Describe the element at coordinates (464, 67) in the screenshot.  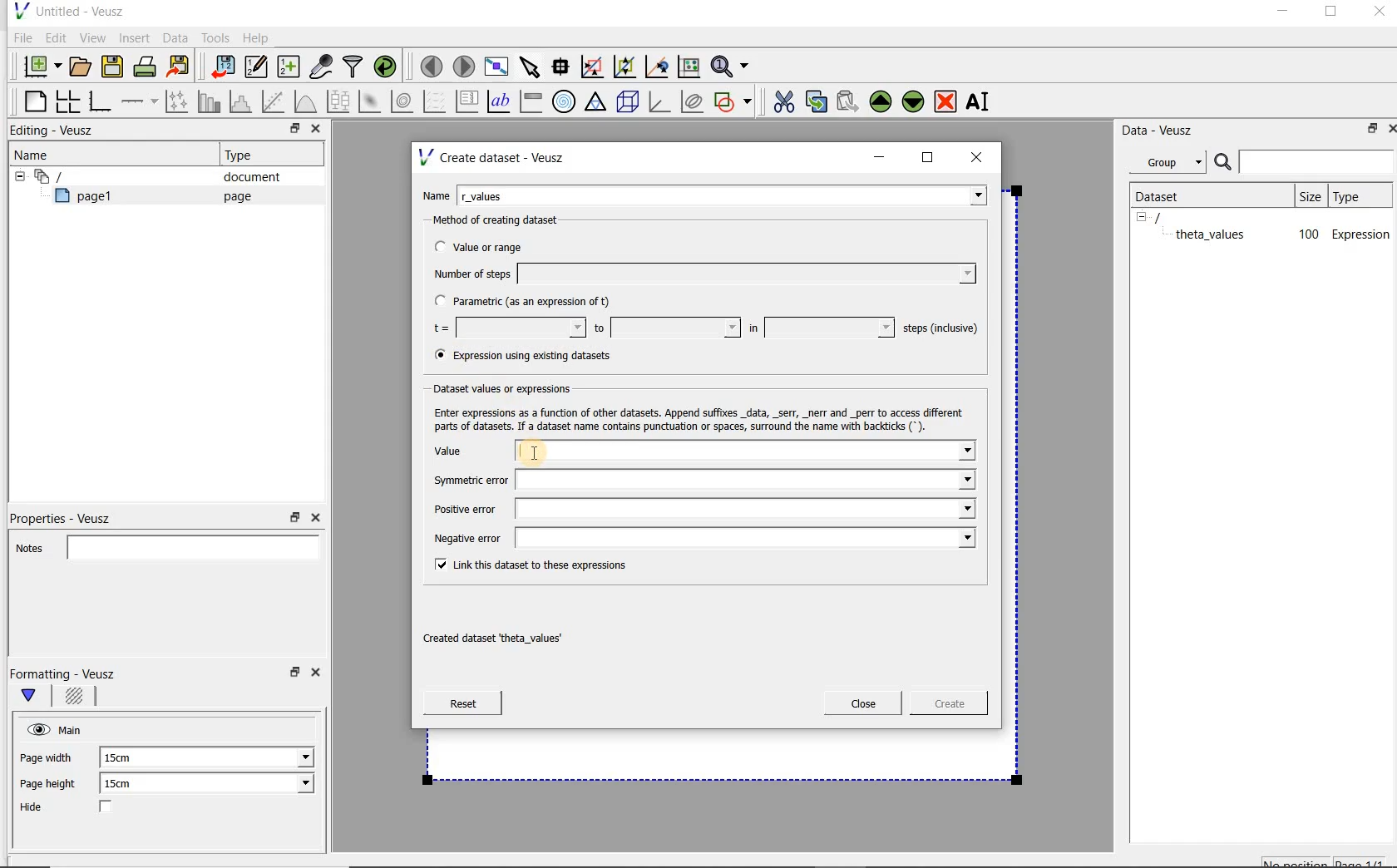
I see `move to the next page` at that location.